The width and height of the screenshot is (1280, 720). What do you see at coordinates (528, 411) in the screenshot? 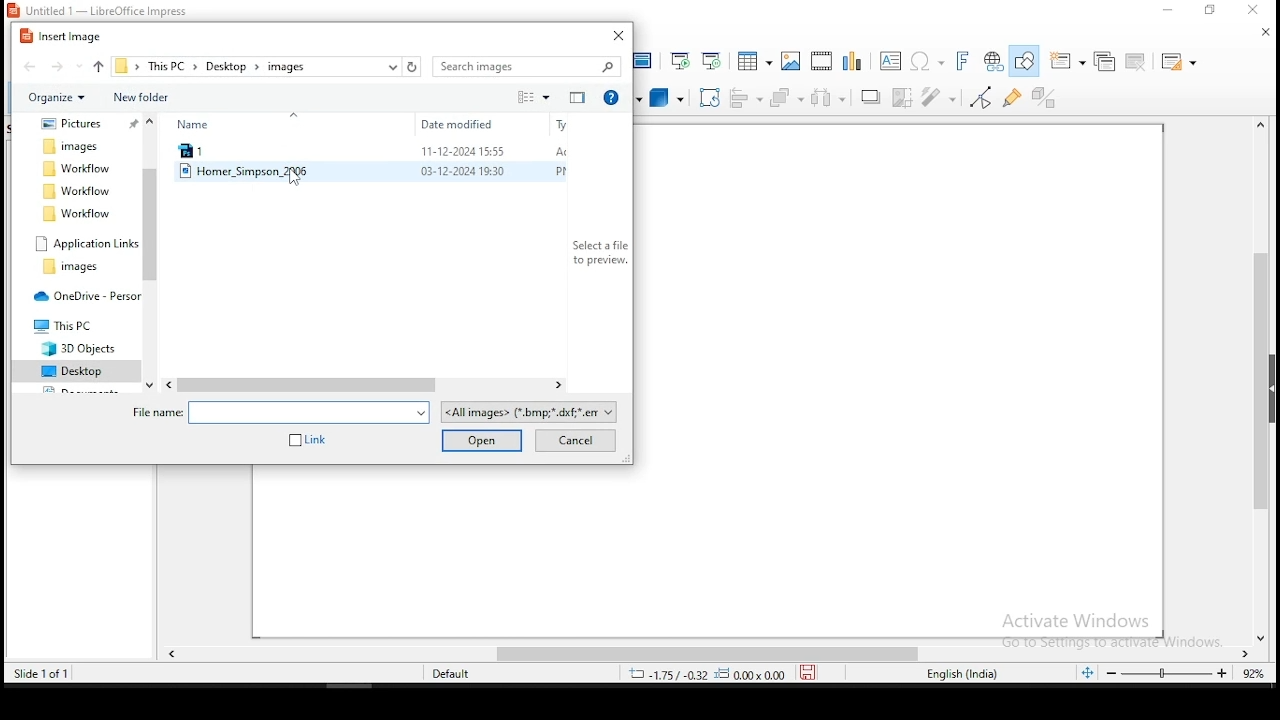
I see `file type` at bounding box center [528, 411].